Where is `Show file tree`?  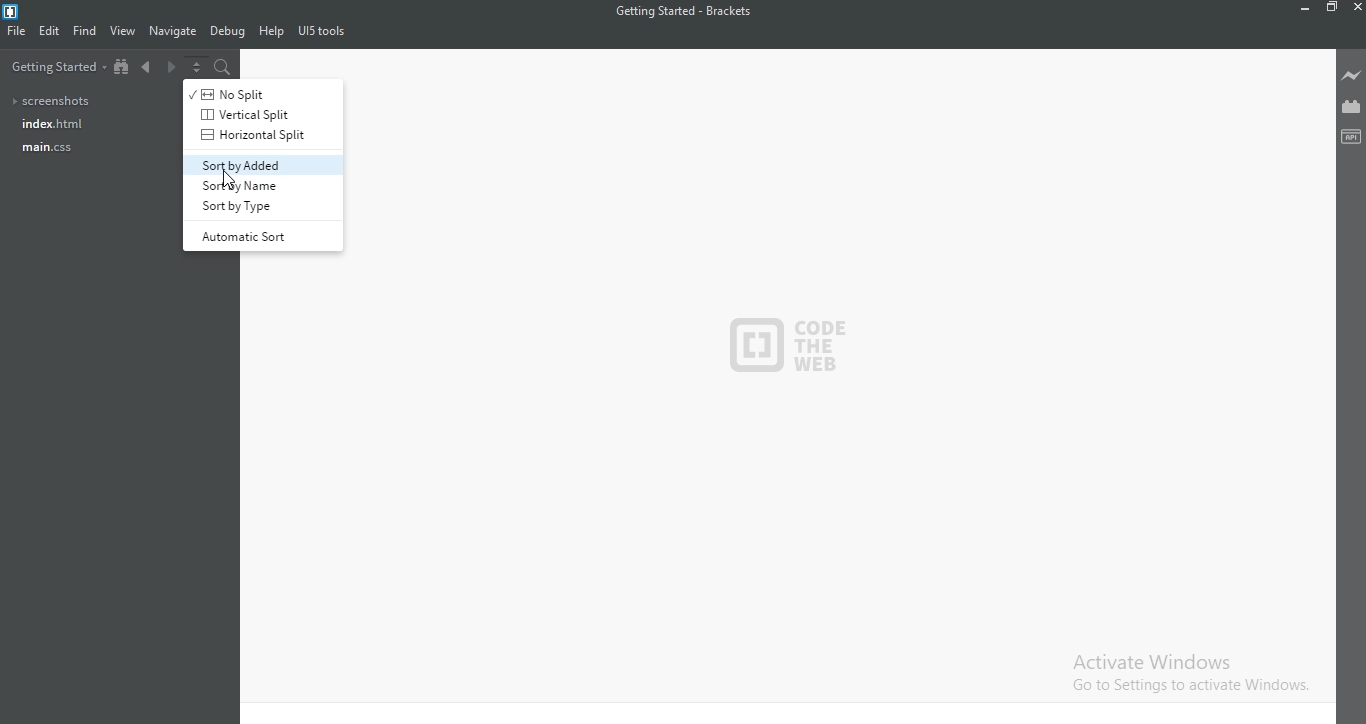 Show file tree is located at coordinates (123, 70).